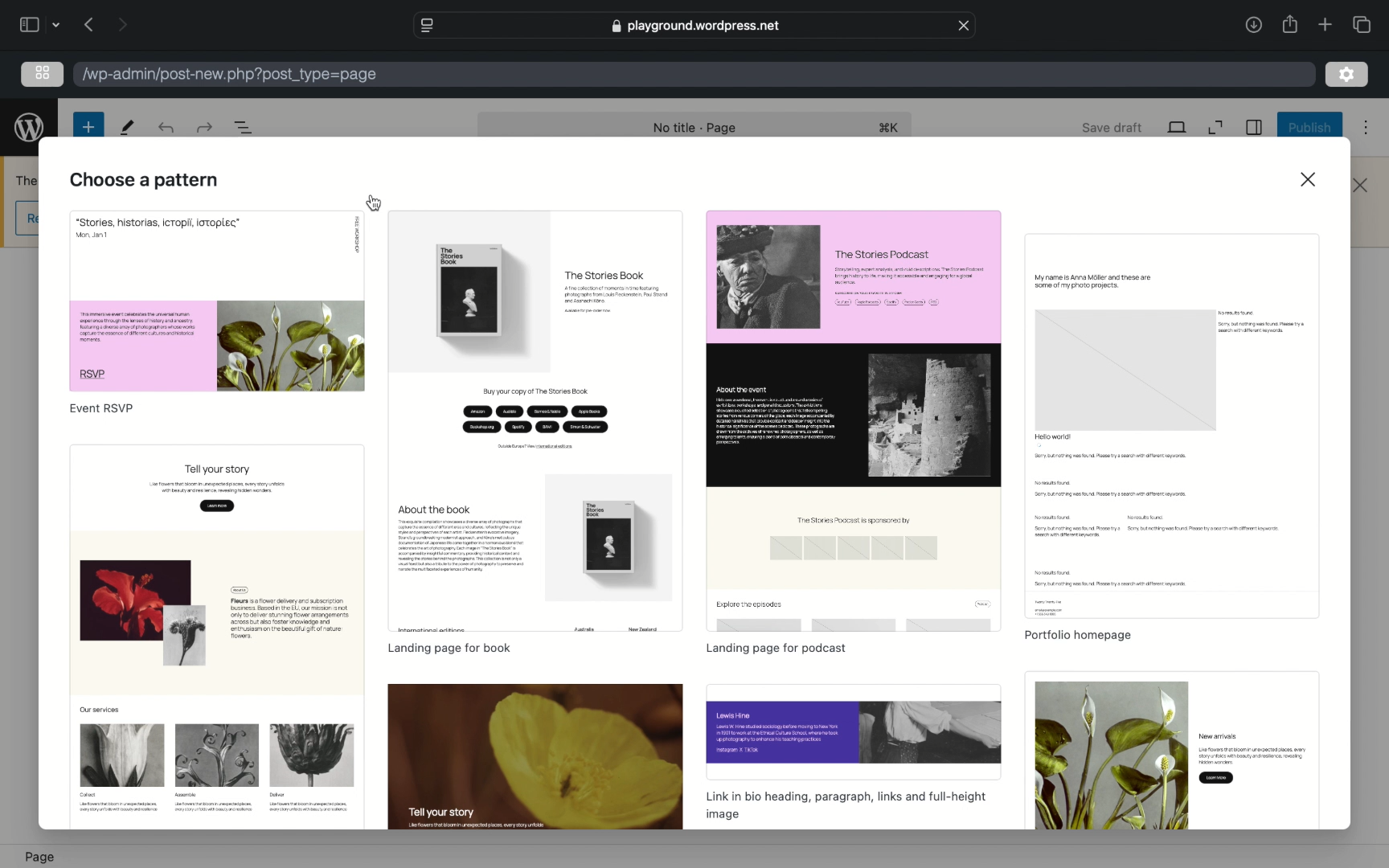 The width and height of the screenshot is (1389, 868). Describe the element at coordinates (535, 422) in the screenshot. I see `preview` at that location.